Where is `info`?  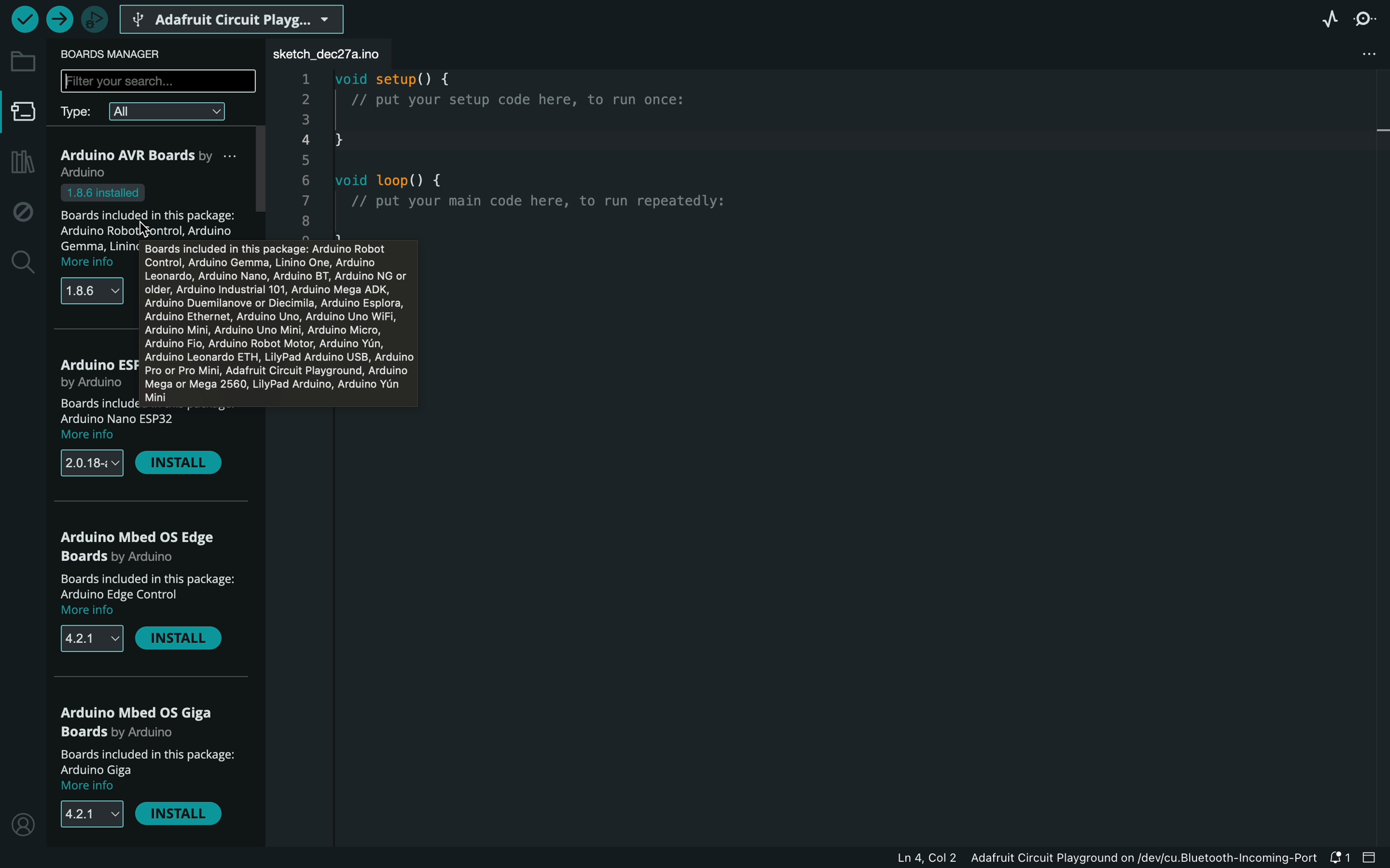
info is located at coordinates (276, 320).